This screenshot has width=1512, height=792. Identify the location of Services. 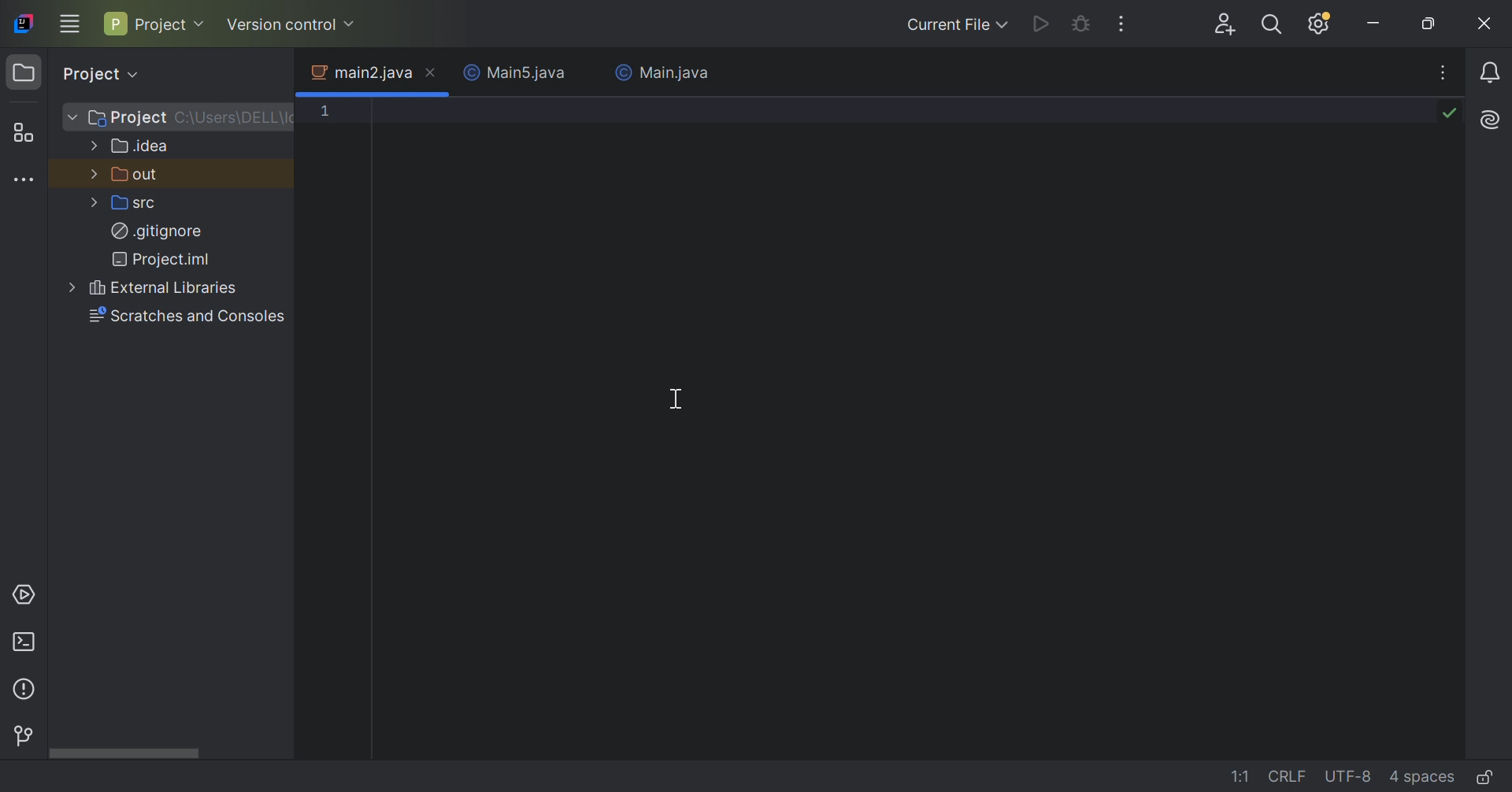
(24, 597).